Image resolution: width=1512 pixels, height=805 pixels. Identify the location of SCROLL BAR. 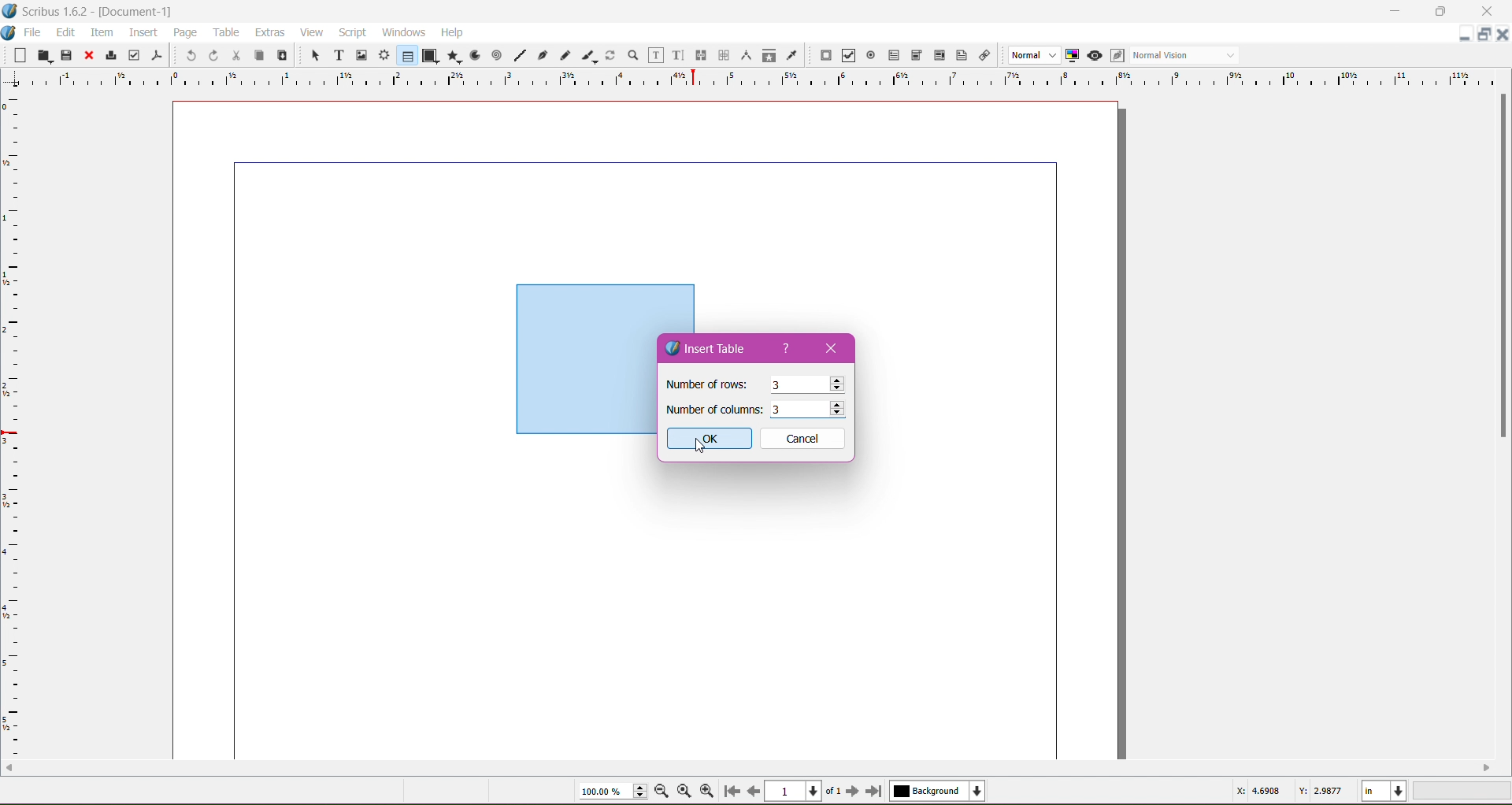
(750, 770).